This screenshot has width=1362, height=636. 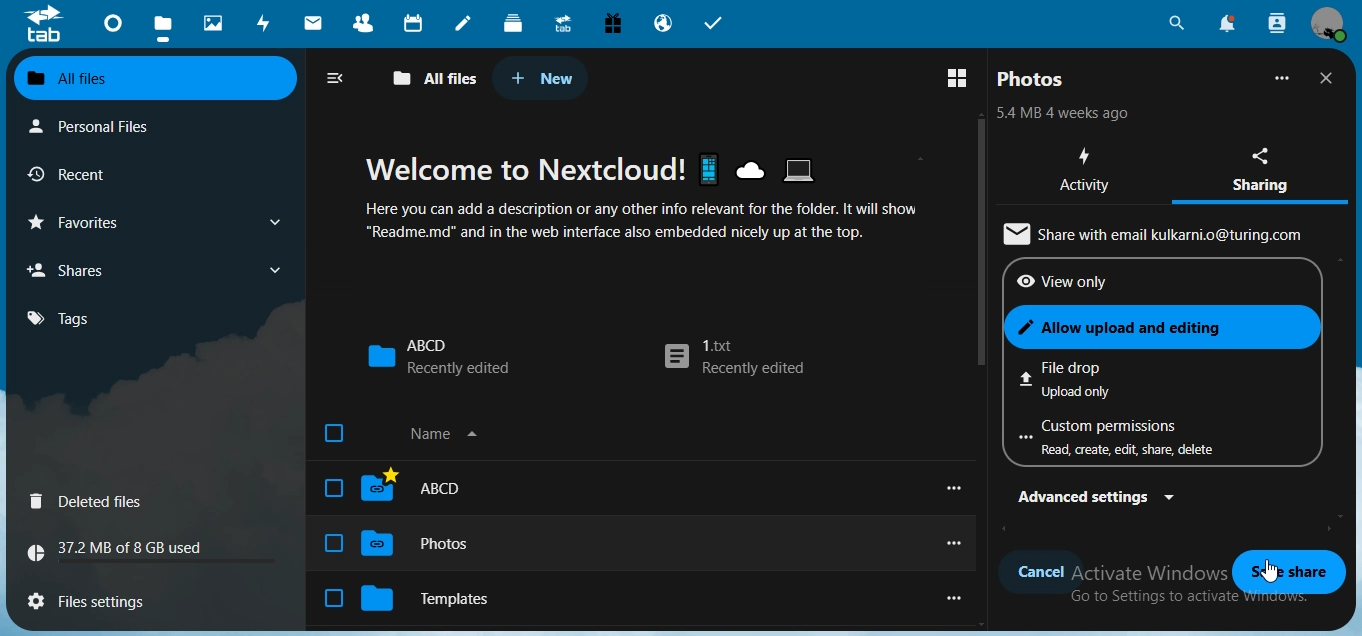 What do you see at coordinates (416, 23) in the screenshot?
I see `calendar` at bounding box center [416, 23].